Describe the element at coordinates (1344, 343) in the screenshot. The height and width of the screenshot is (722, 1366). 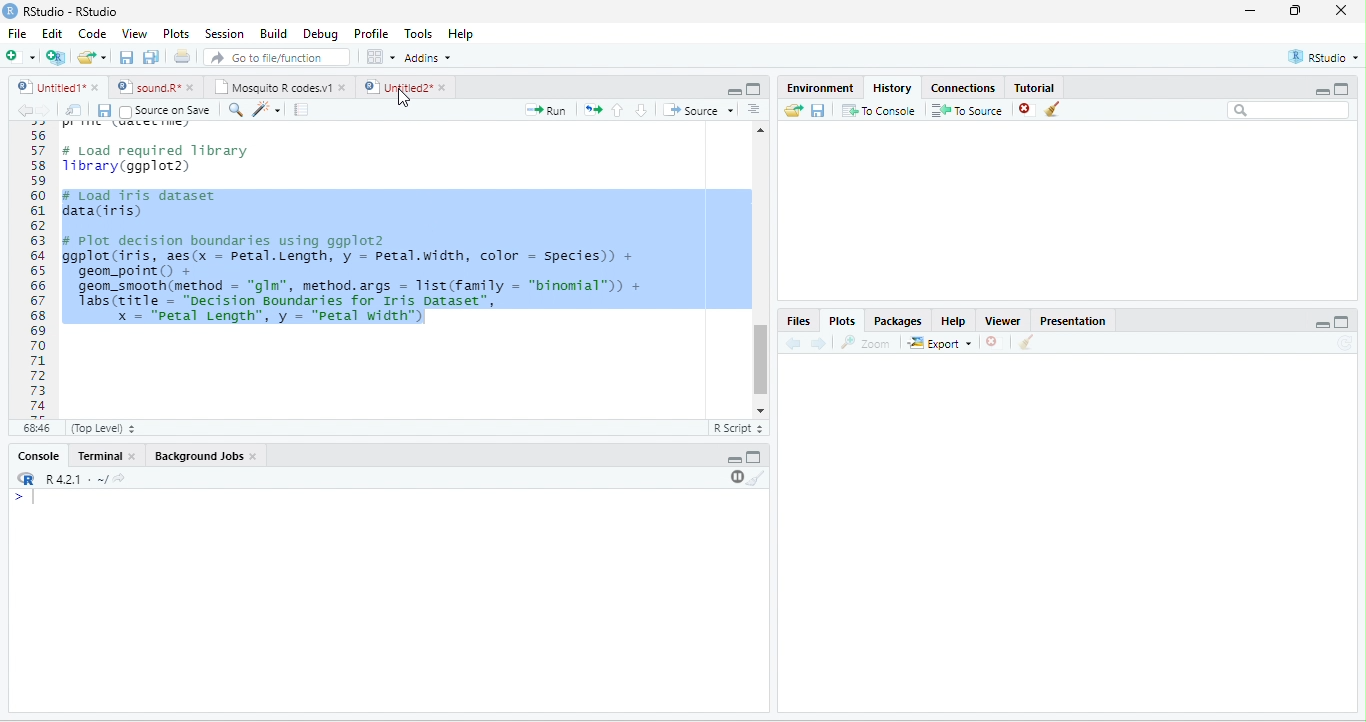
I see `refresh` at that location.